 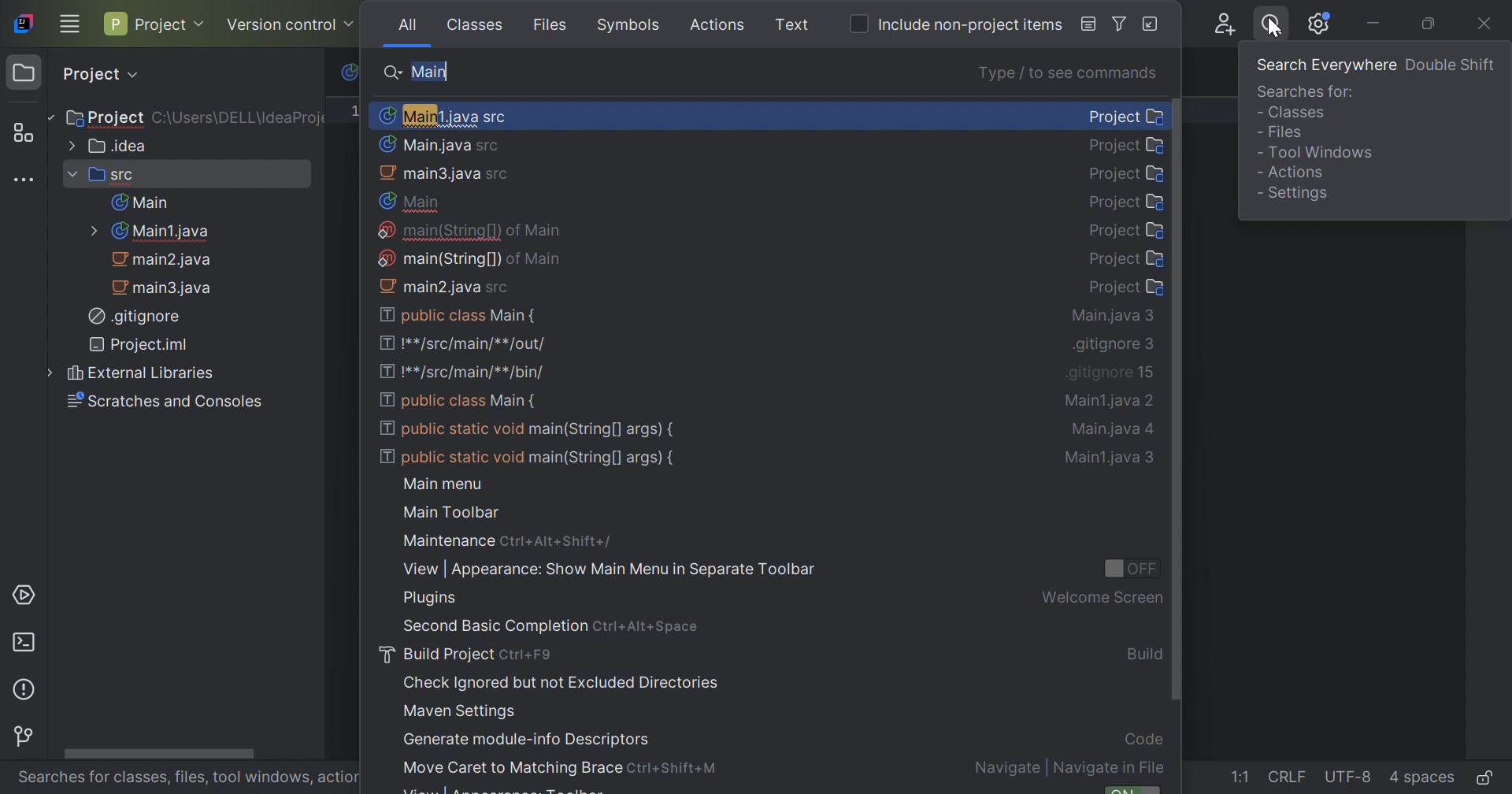 I want to click on Min.java3, so click(x=1117, y=459).